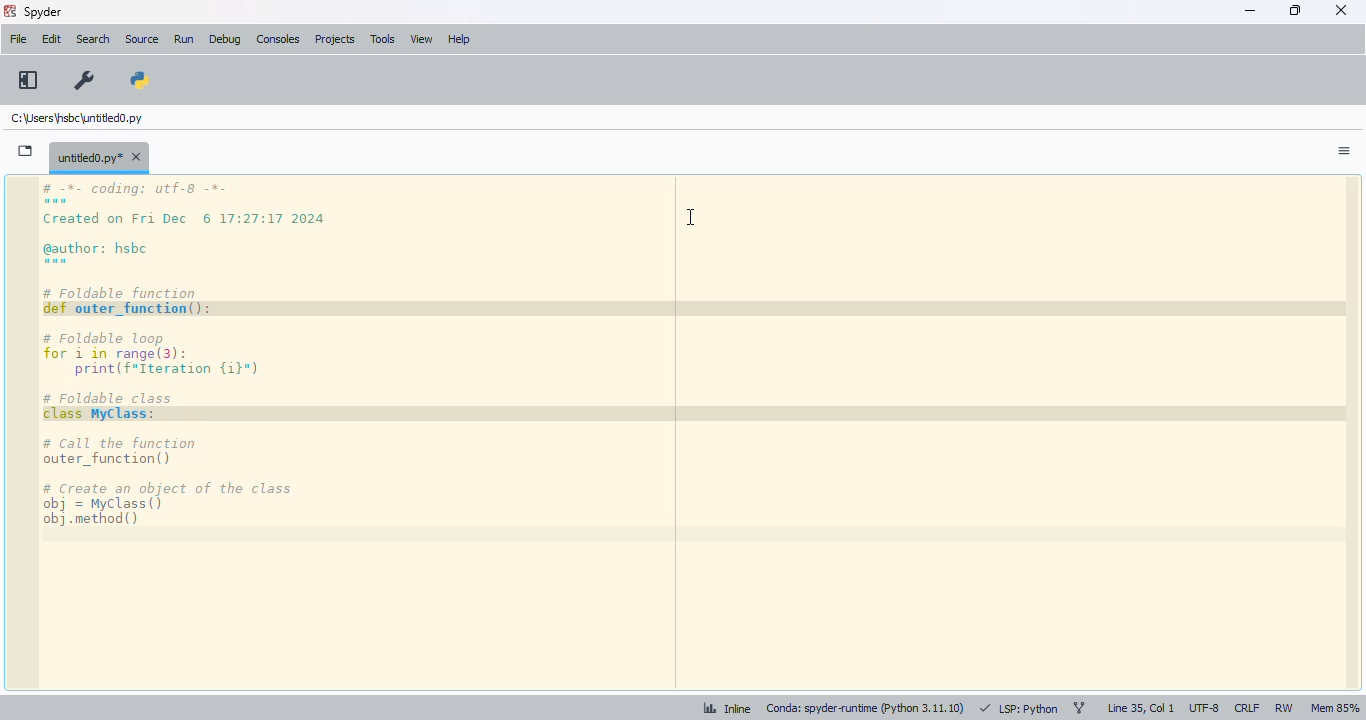  Describe the element at coordinates (26, 151) in the screenshot. I see `browse tabs` at that location.